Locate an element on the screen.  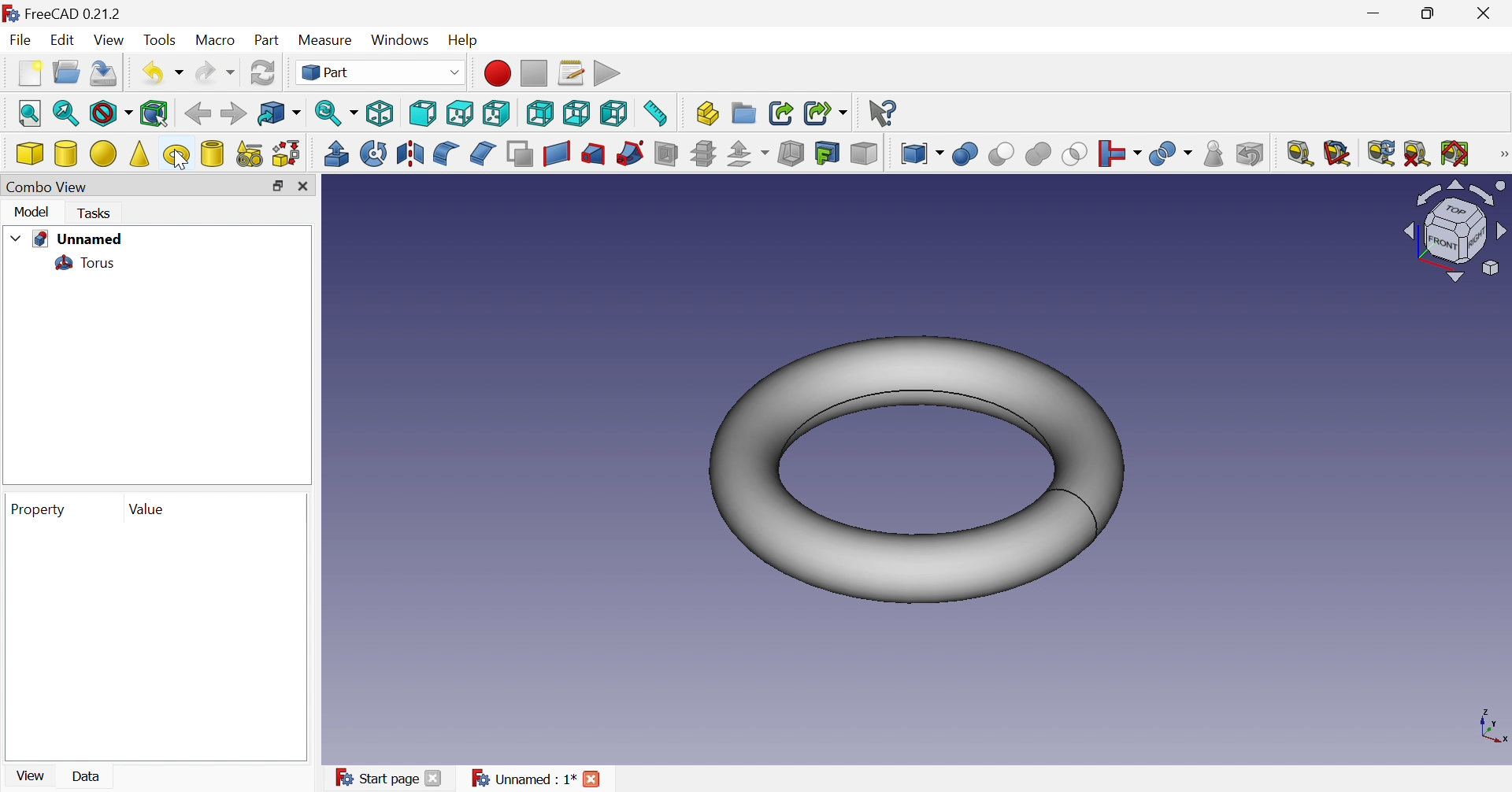
Create group is located at coordinates (745, 112).